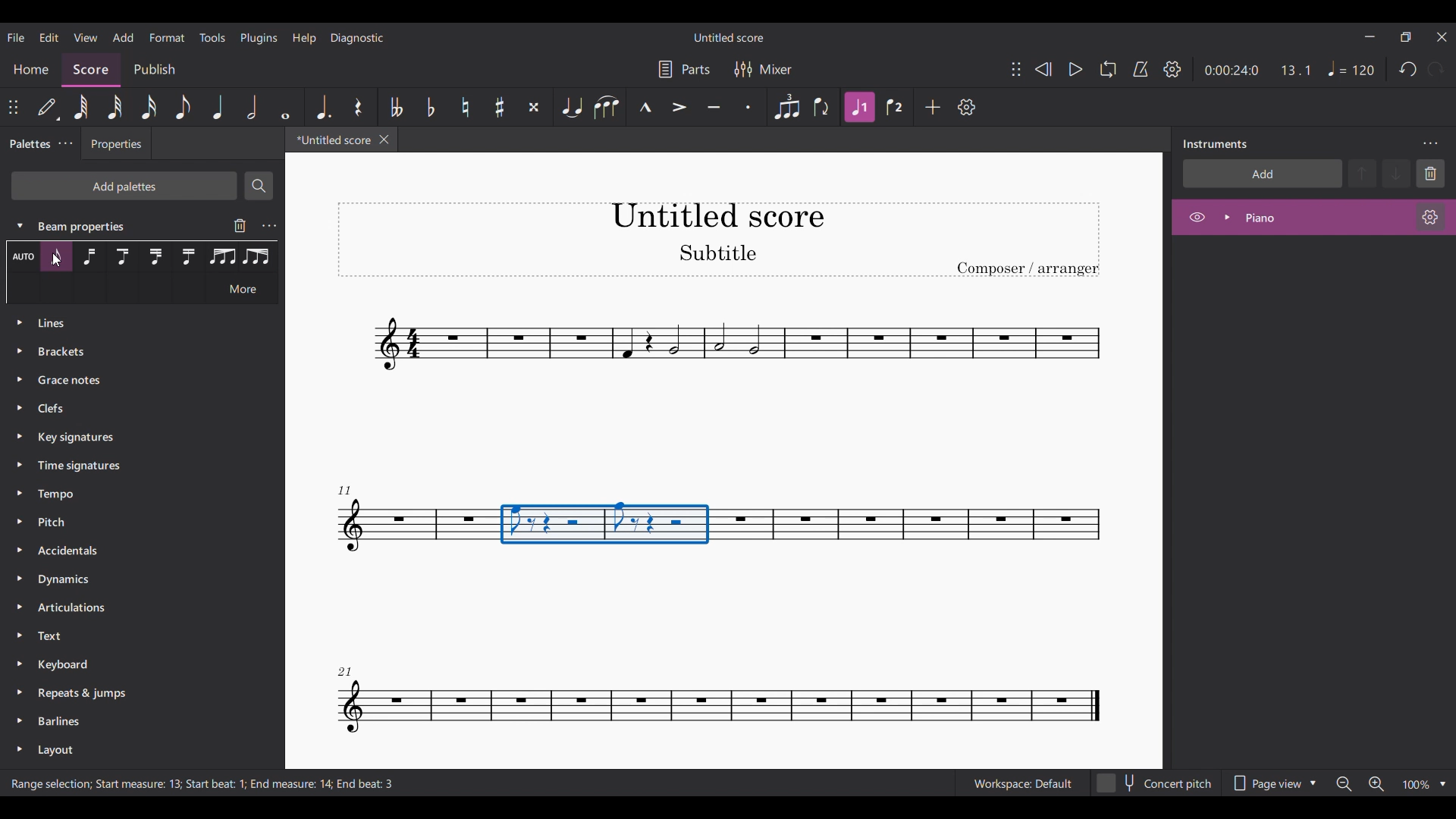 Image resolution: width=1456 pixels, height=819 pixels. Describe the element at coordinates (465, 107) in the screenshot. I see `Toggle natural` at that location.